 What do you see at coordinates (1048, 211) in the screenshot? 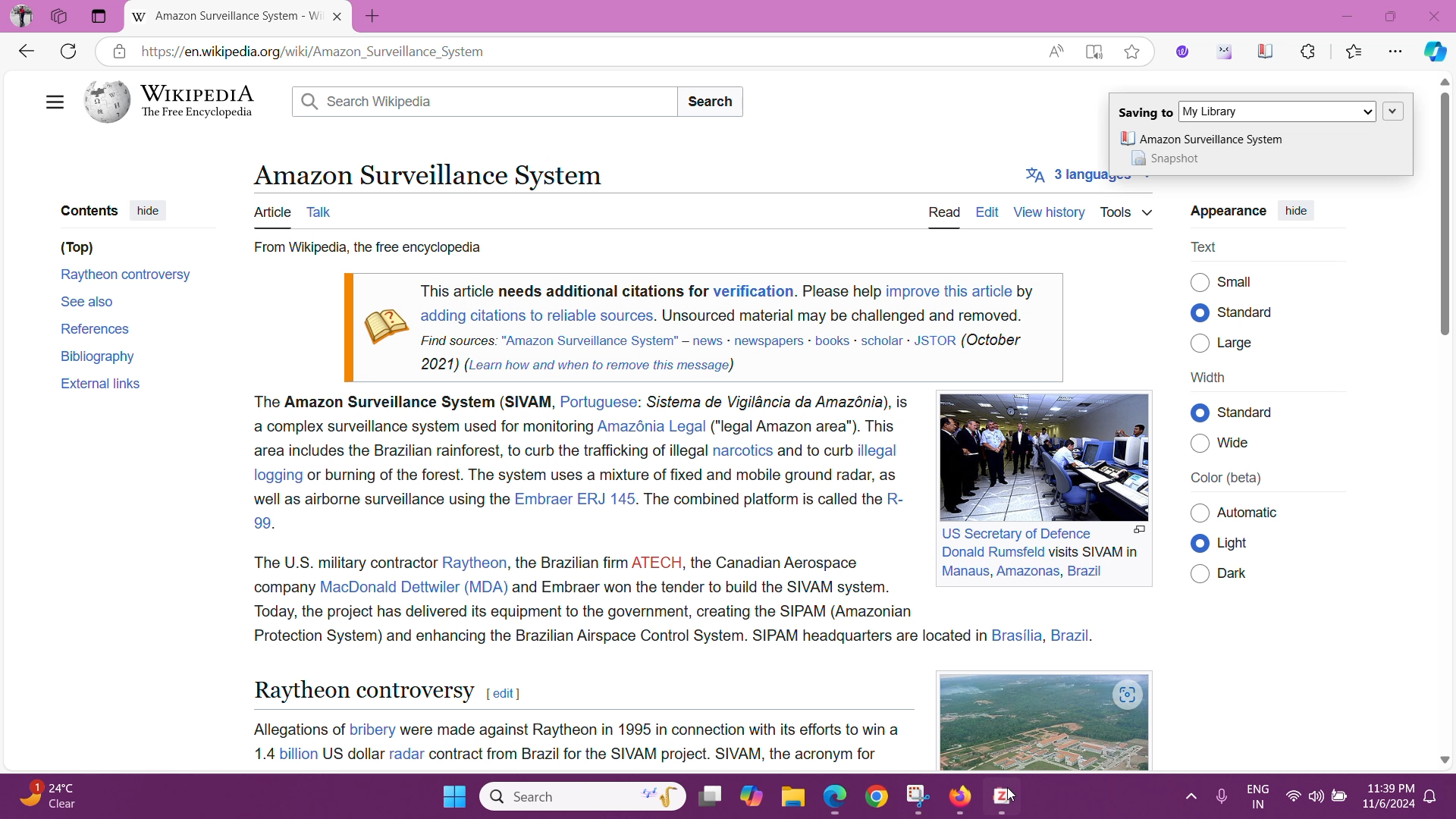
I see `View history` at bounding box center [1048, 211].